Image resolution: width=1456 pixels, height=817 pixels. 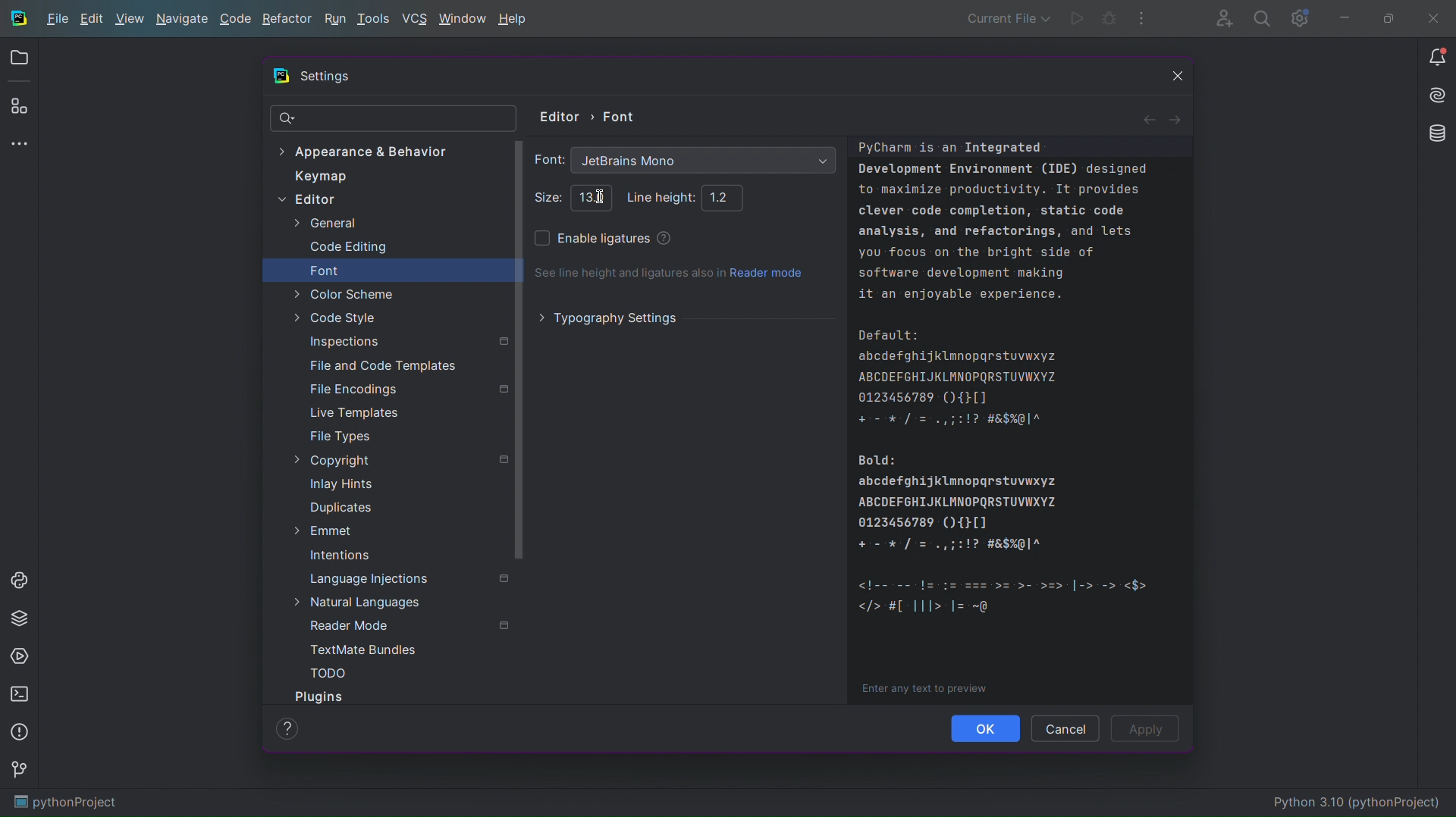 I want to click on Line height, so click(x=654, y=196).